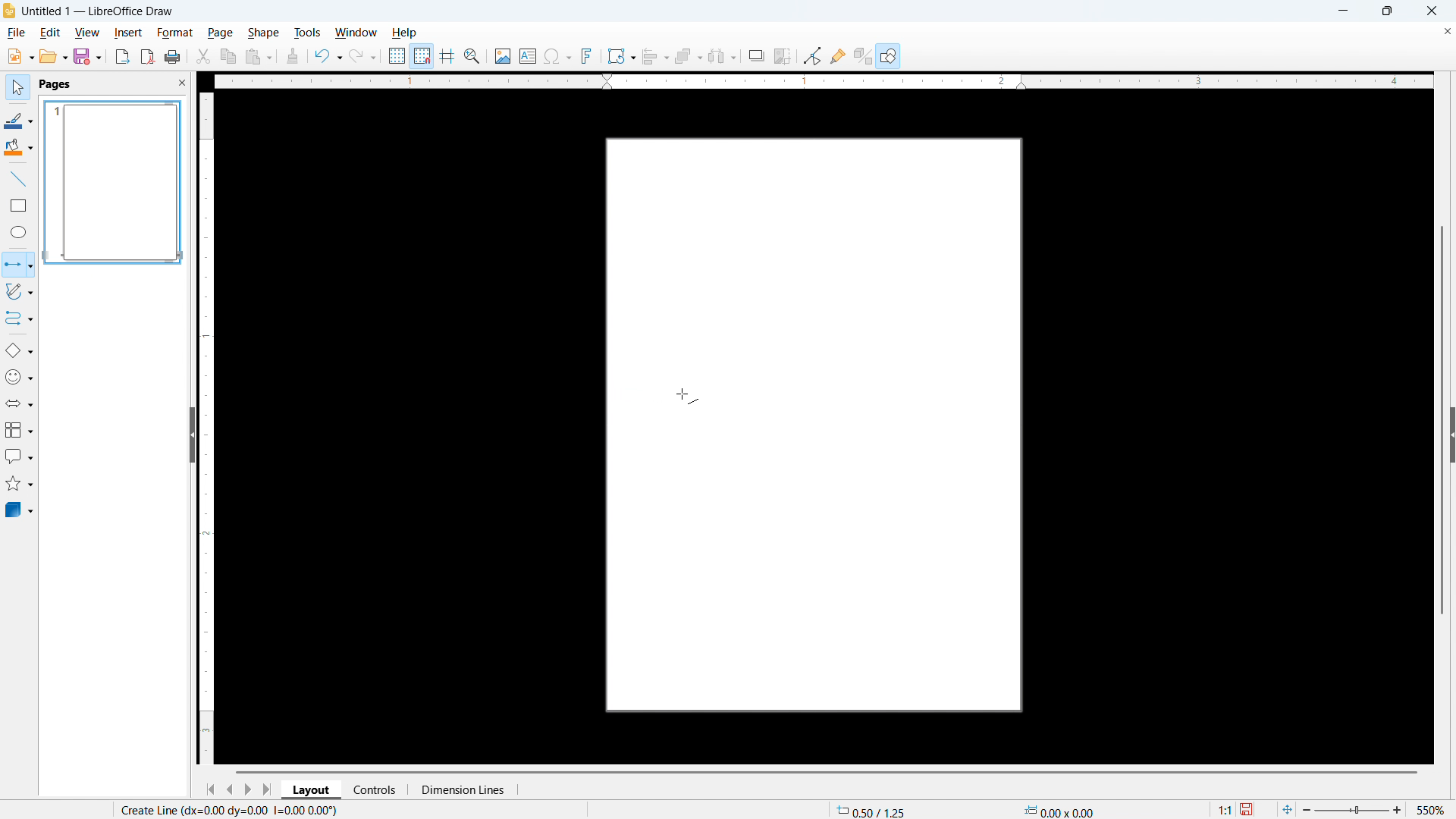 This screenshot has height=819, width=1456. Describe the element at coordinates (1286, 806) in the screenshot. I see `Fit to page ` at that location.